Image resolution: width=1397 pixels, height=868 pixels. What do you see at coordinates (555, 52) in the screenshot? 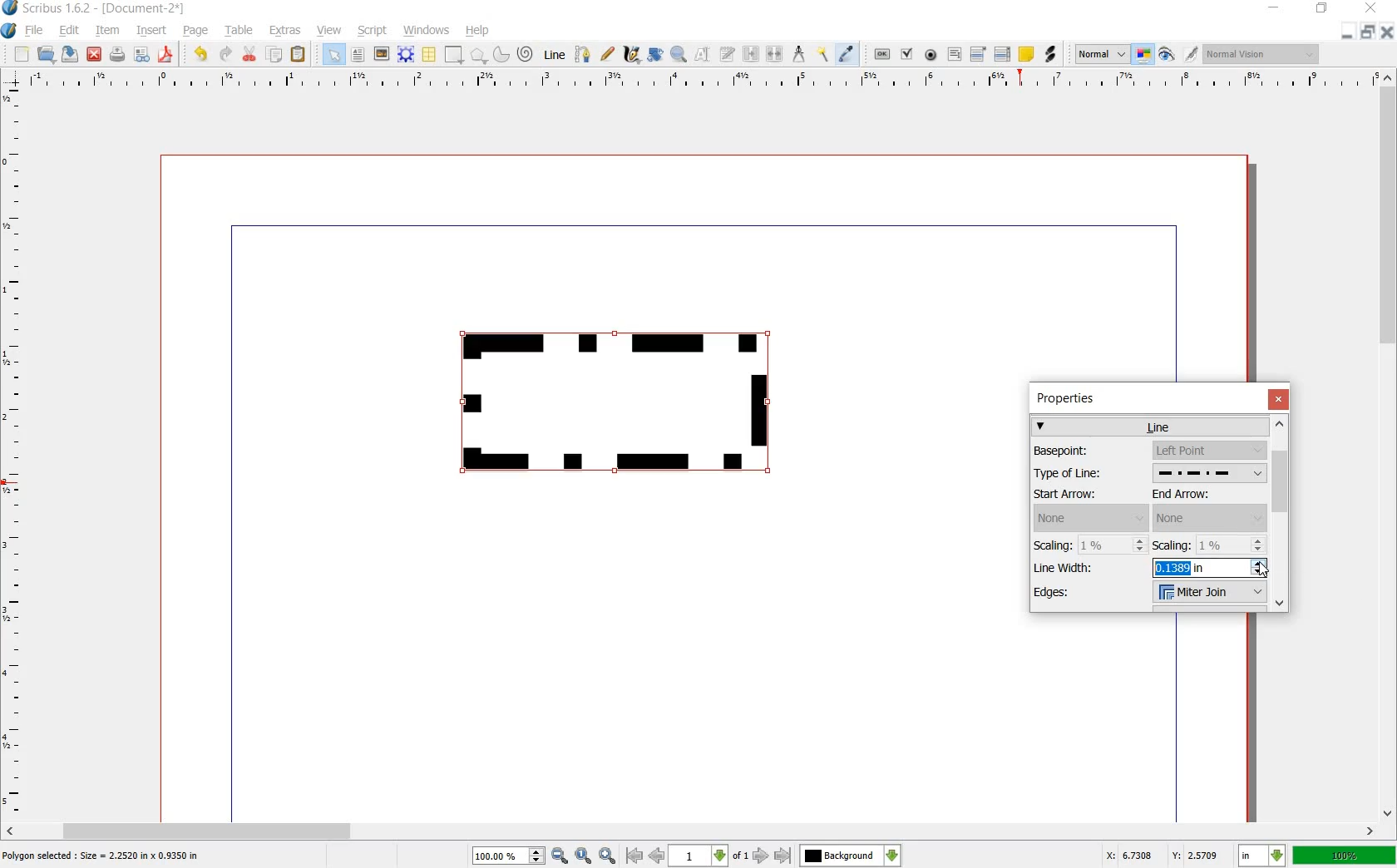
I see `LINE` at bounding box center [555, 52].